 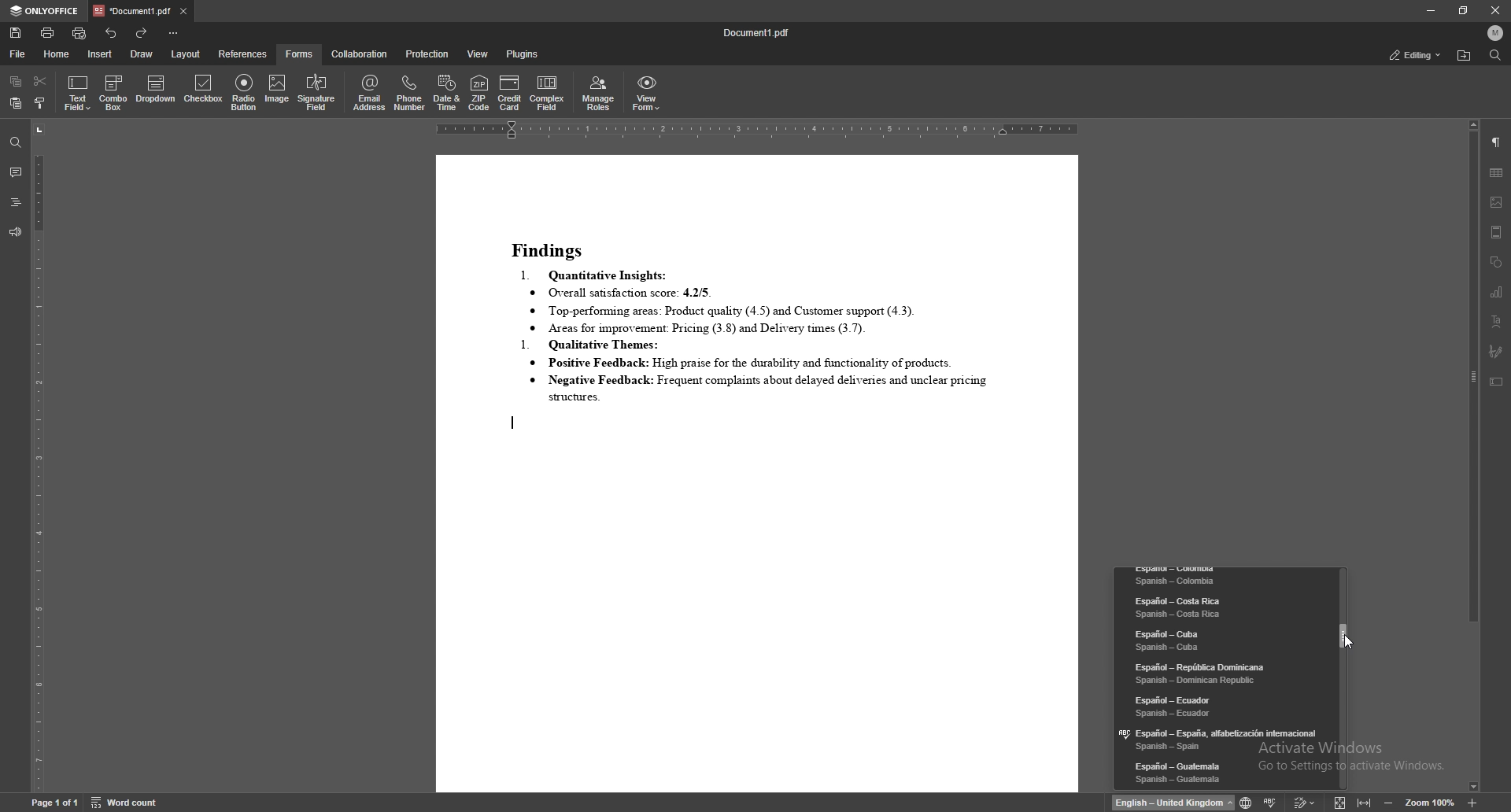 I want to click on page information, so click(x=53, y=804).